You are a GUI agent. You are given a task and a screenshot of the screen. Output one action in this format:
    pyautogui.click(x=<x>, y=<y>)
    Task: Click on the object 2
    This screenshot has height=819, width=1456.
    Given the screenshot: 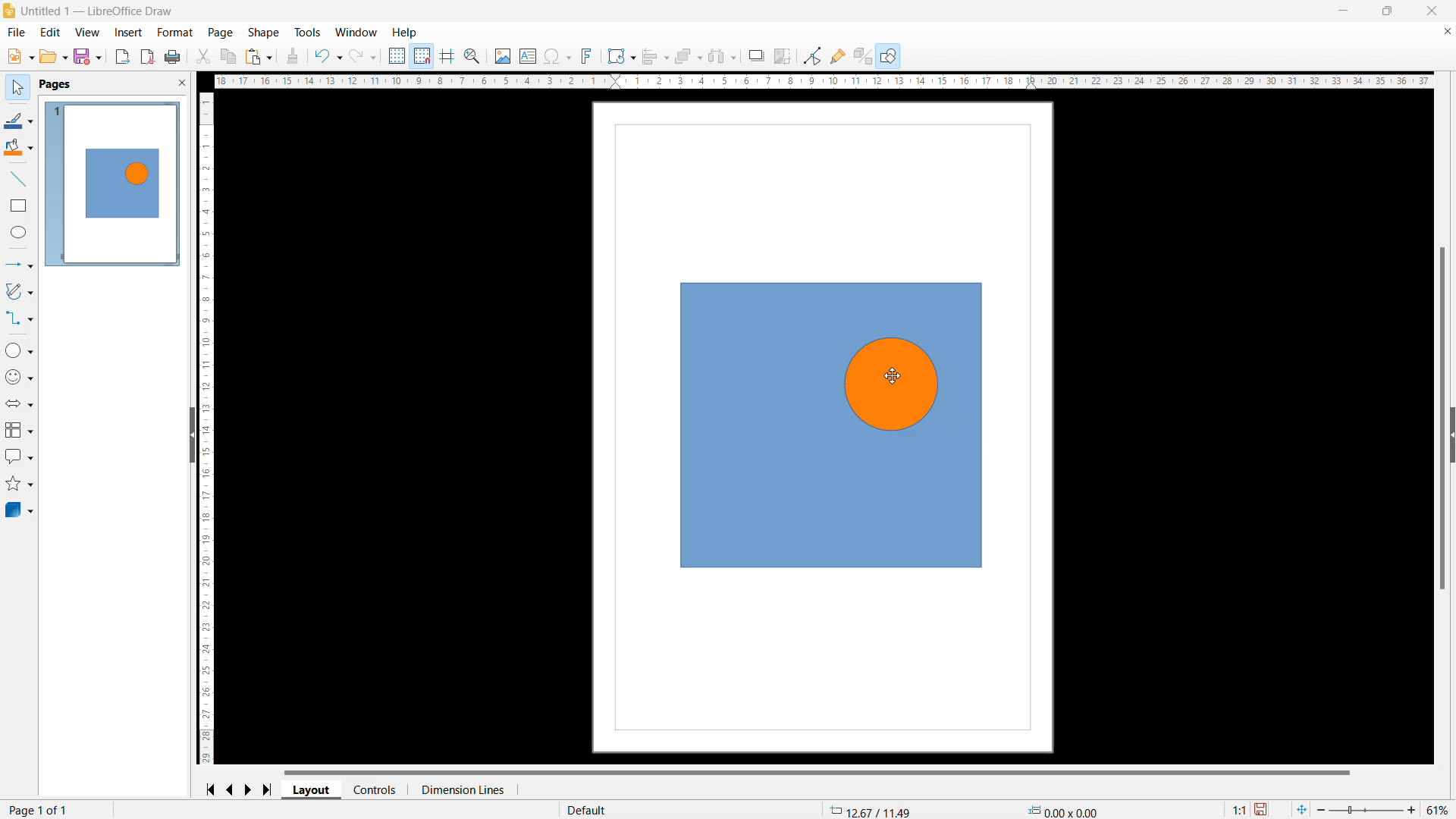 What is the action you would take?
    pyautogui.click(x=896, y=388)
    